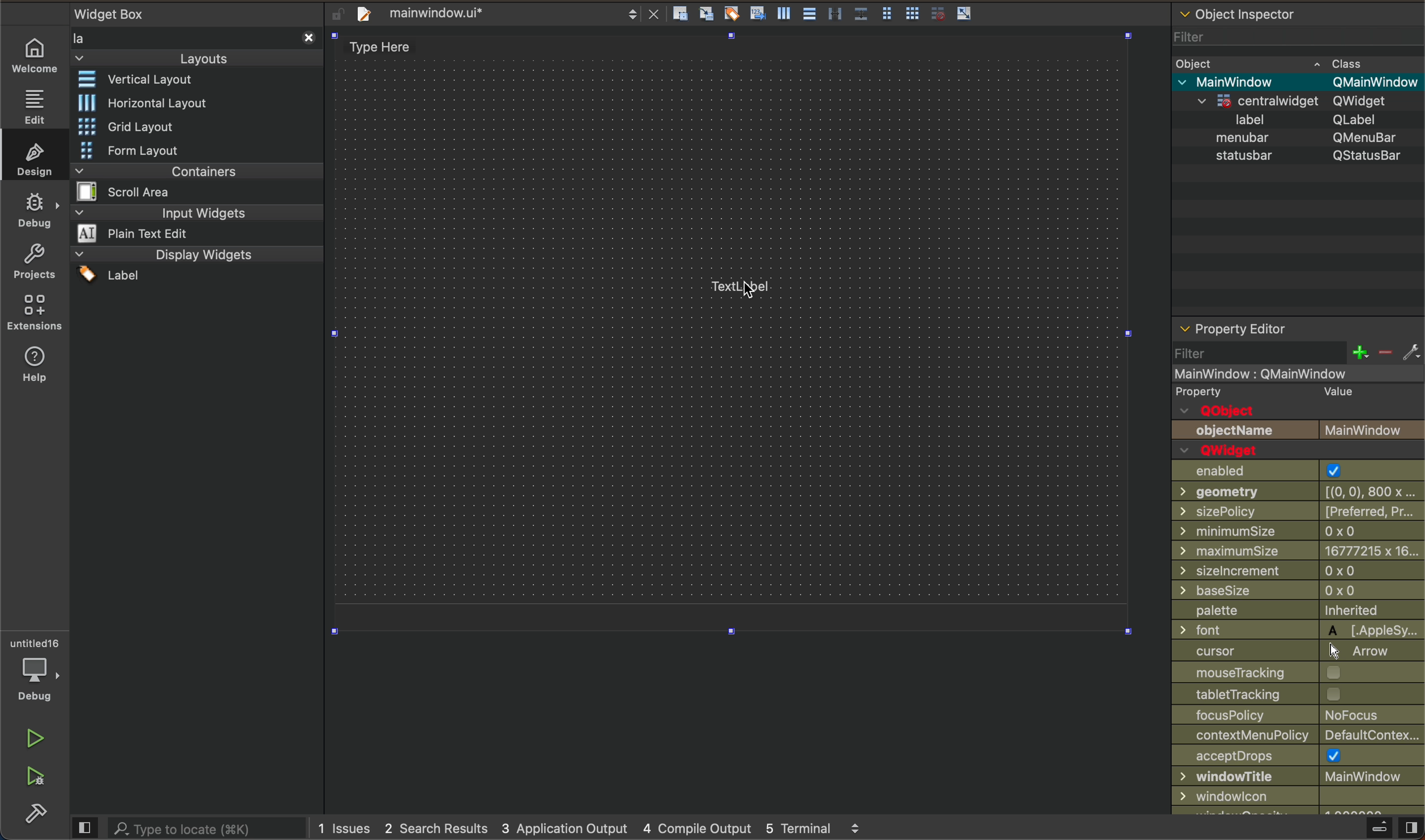 Image resolution: width=1425 pixels, height=840 pixels. I want to click on contextMenuPlicy, so click(1299, 736).